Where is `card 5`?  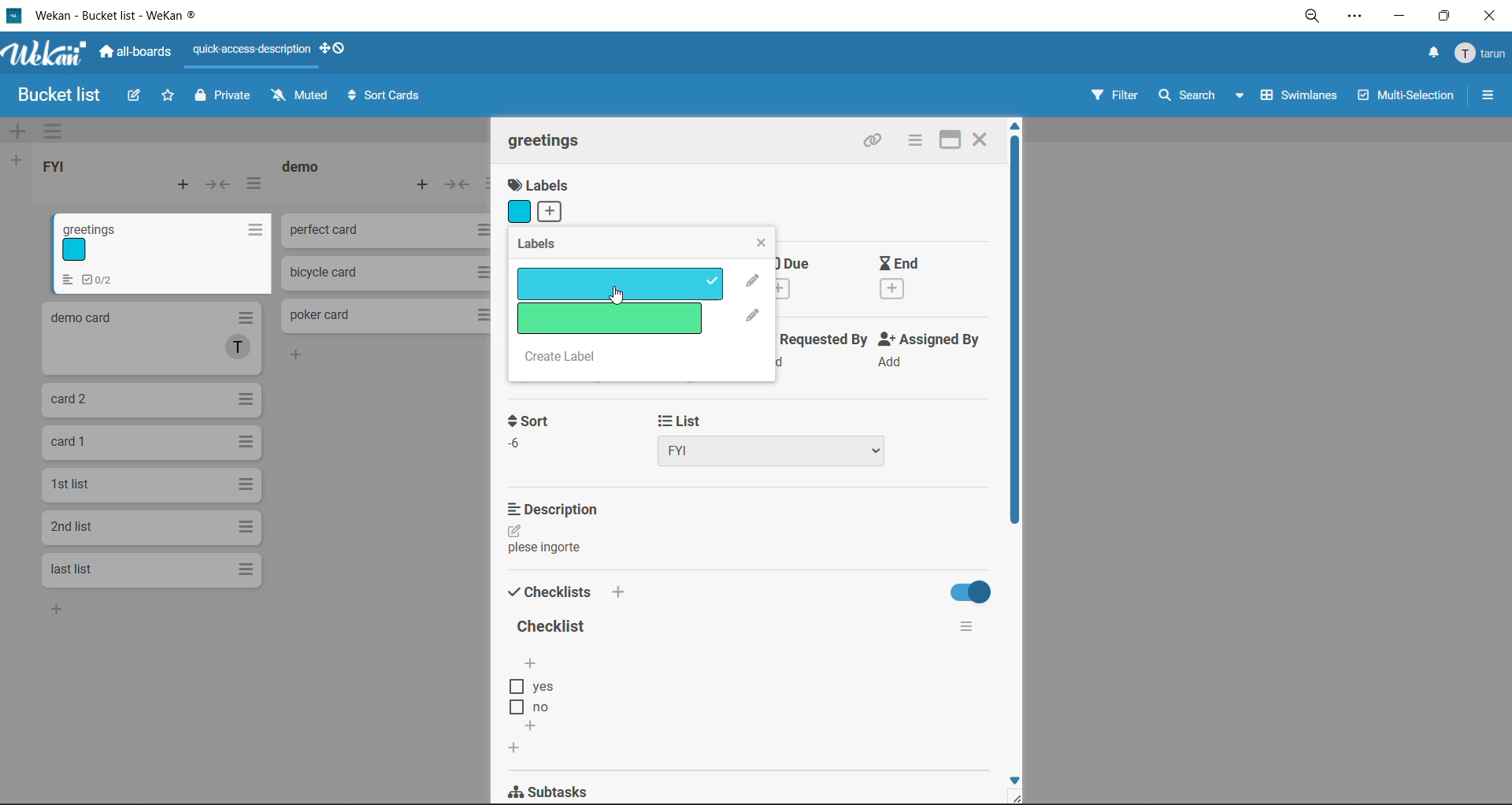
card 5 is located at coordinates (152, 484).